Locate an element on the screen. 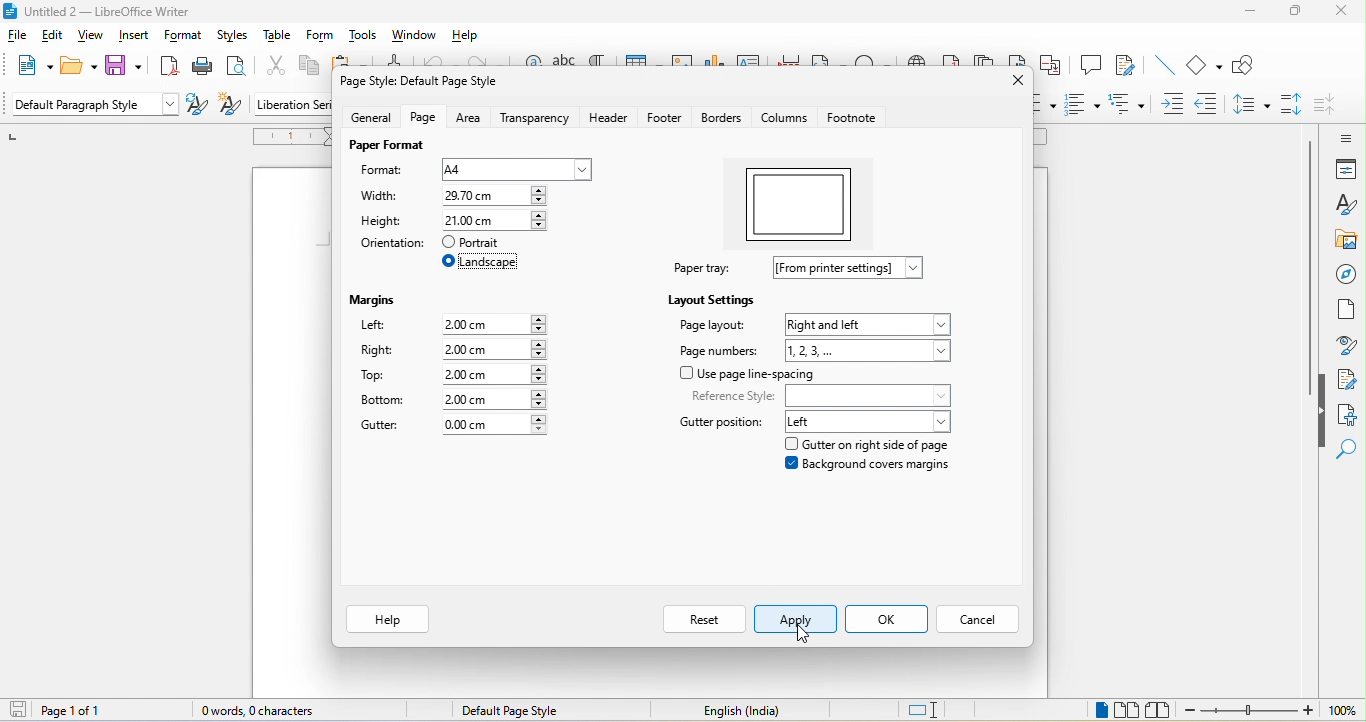 The width and height of the screenshot is (1366, 722). 1,2,3 is located at coordinates (873, 349).